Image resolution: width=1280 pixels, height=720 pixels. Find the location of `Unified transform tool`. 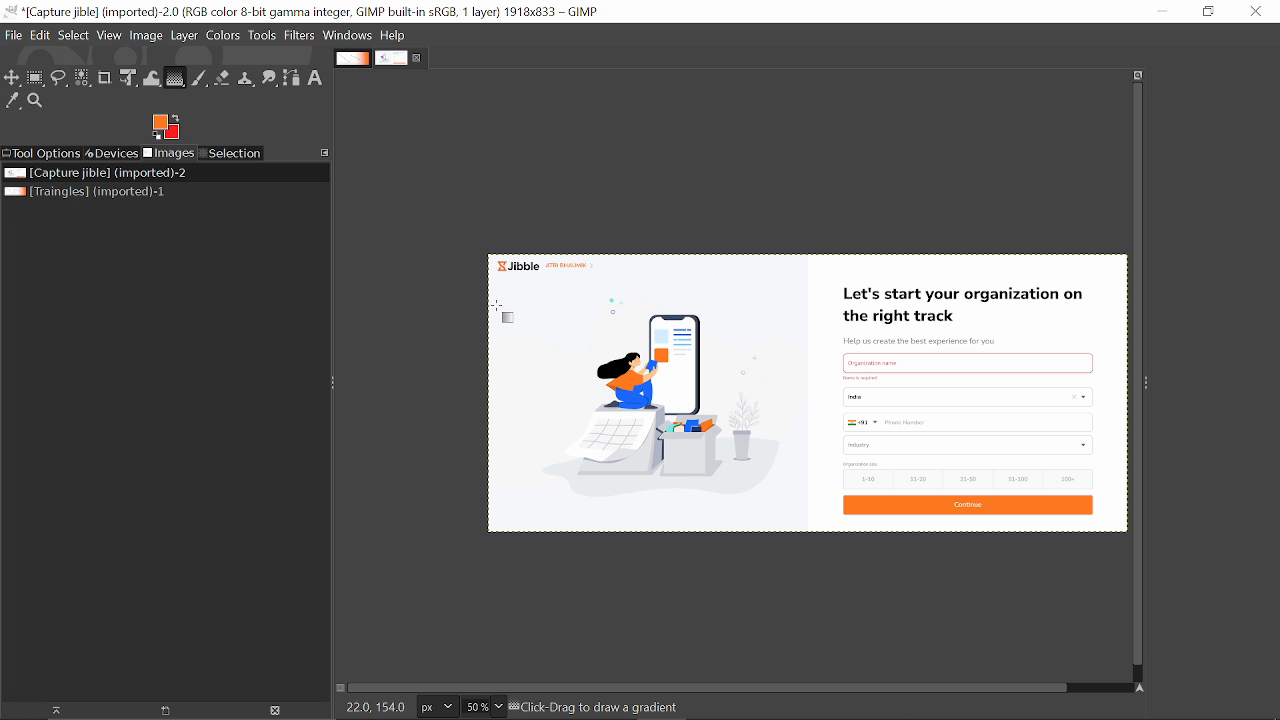

Unified transform tool is located at coordinates (130, 78).